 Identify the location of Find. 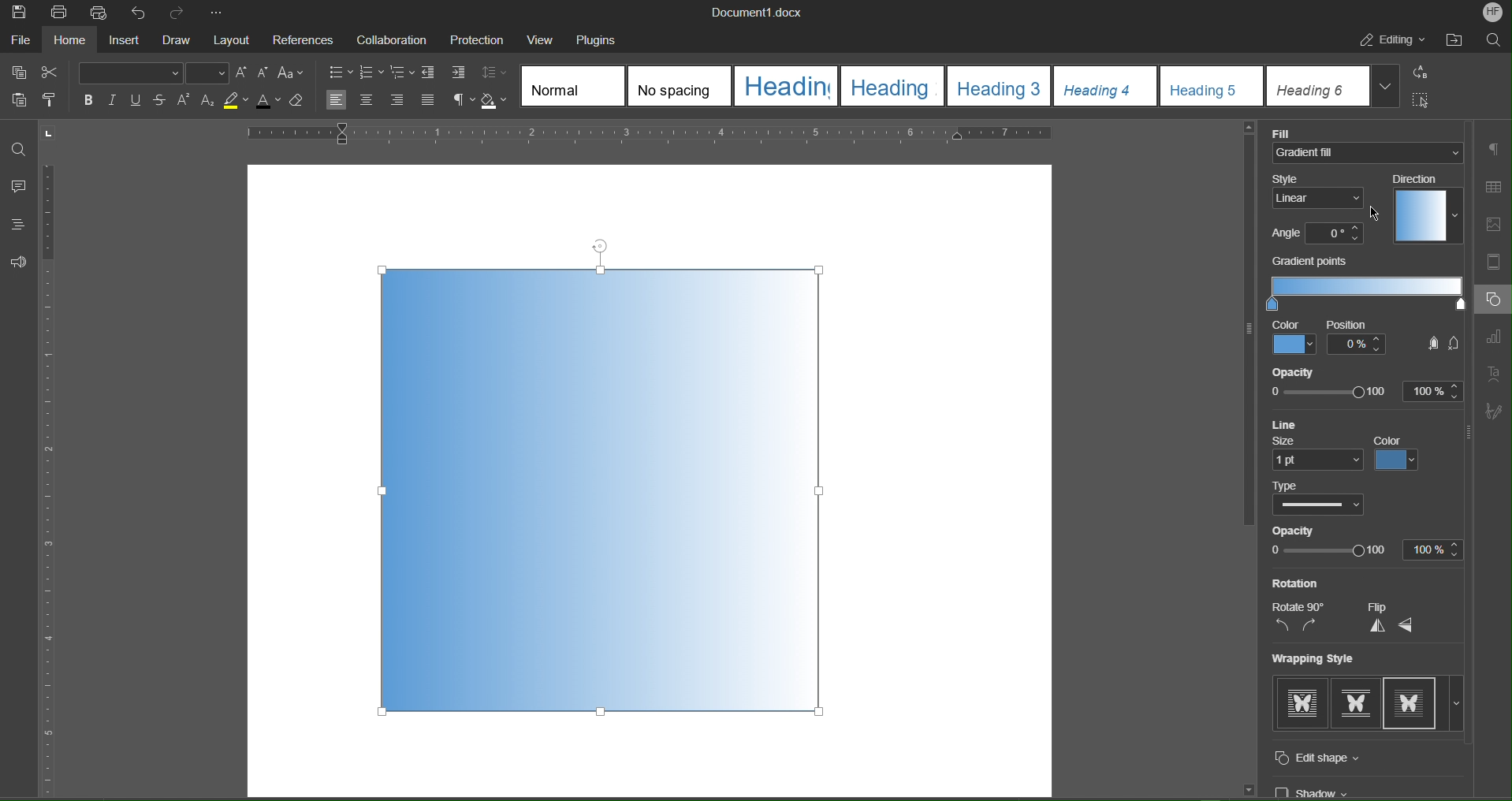
(20, 143).